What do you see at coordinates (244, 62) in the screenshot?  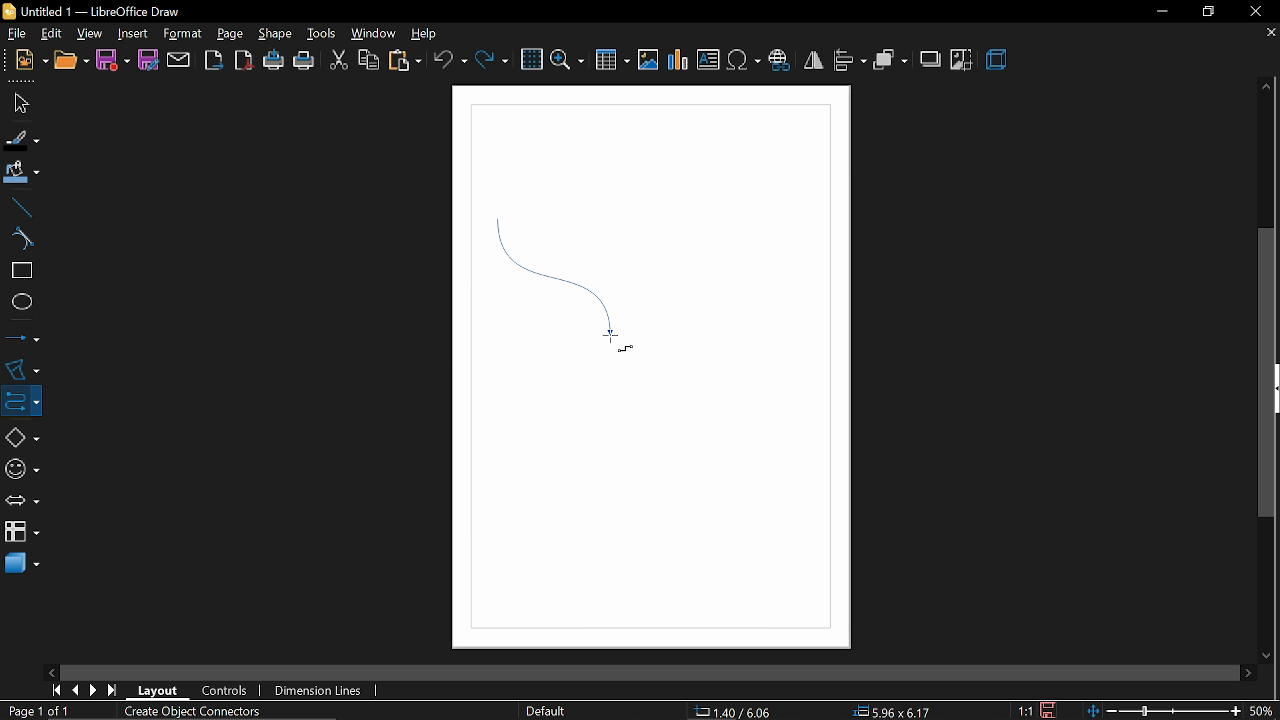 I see `export as pdf` at bounding box center [244, 62].